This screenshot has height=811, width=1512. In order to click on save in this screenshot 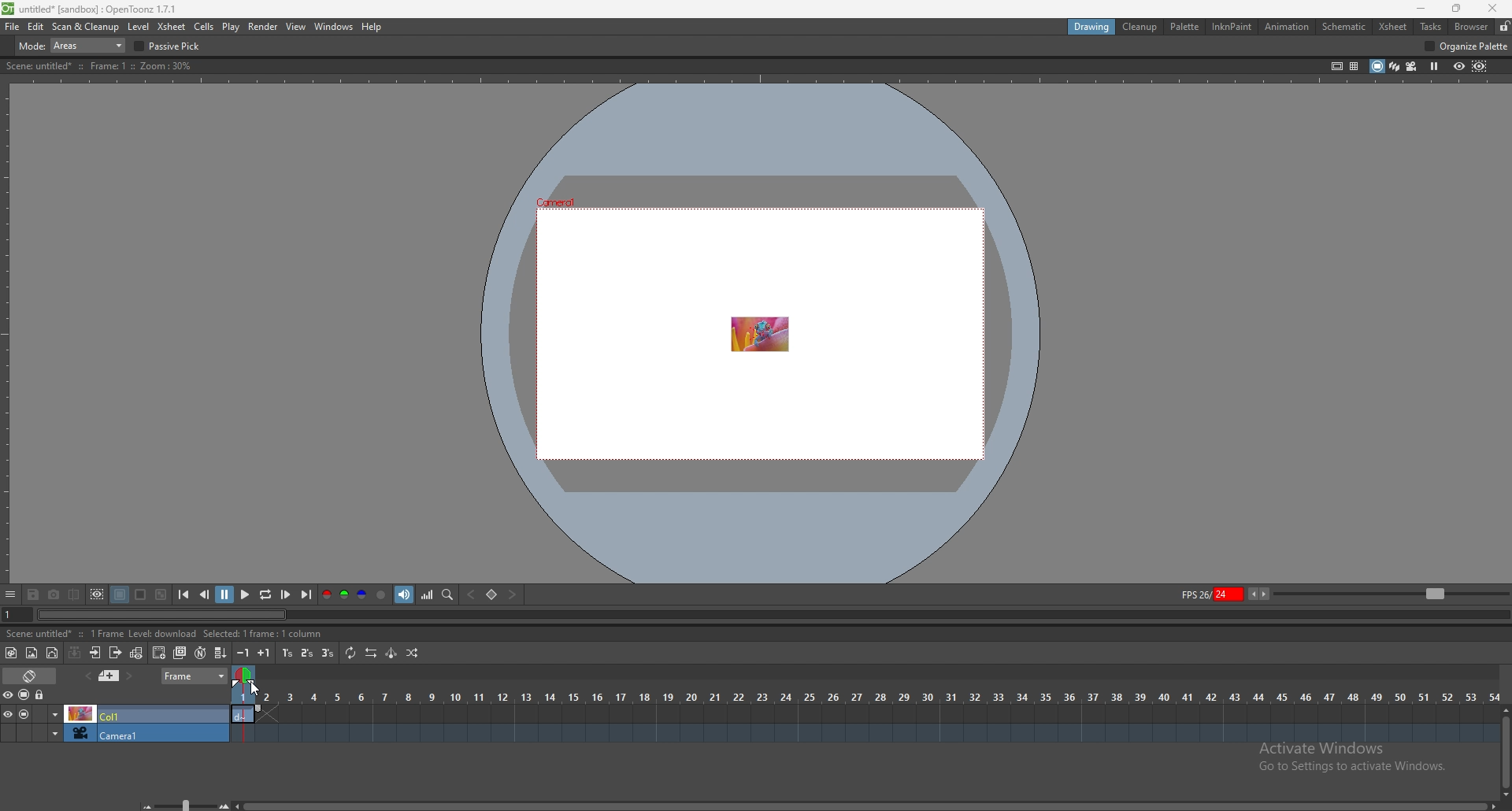, I will do `click(33, 595)`.